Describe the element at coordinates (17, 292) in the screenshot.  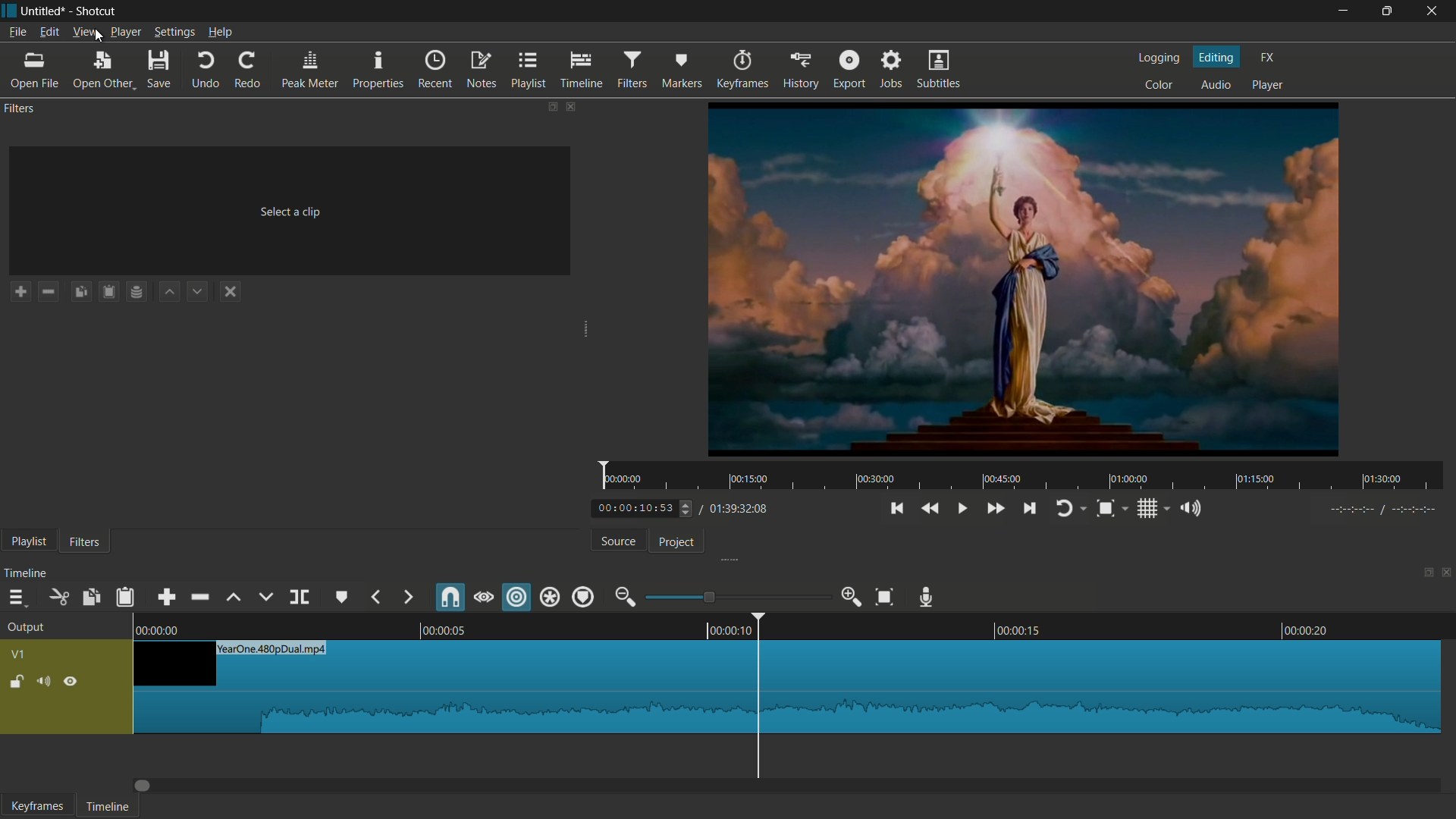
I see `add a filter` at that location.